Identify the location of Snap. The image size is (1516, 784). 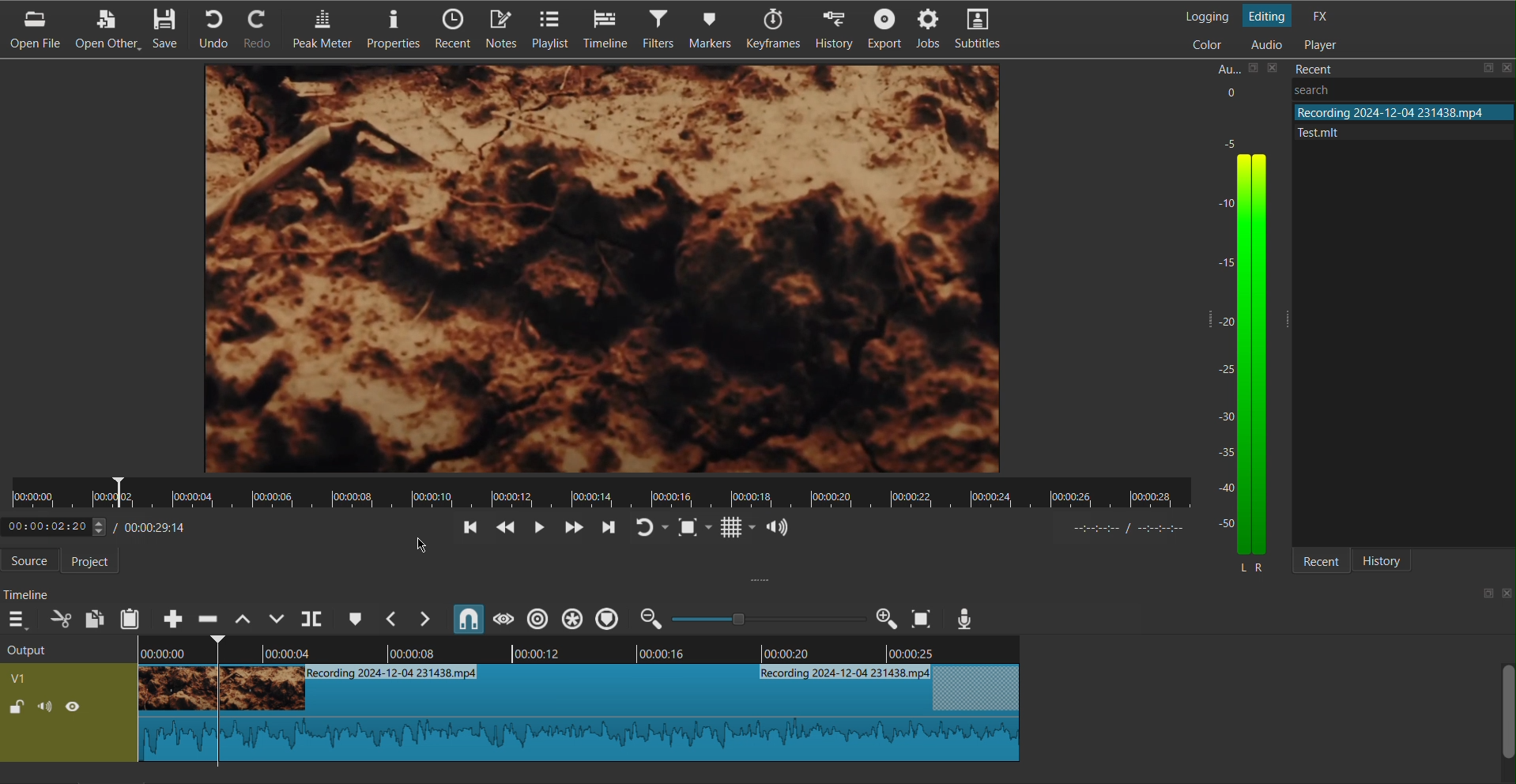
(466, 617).